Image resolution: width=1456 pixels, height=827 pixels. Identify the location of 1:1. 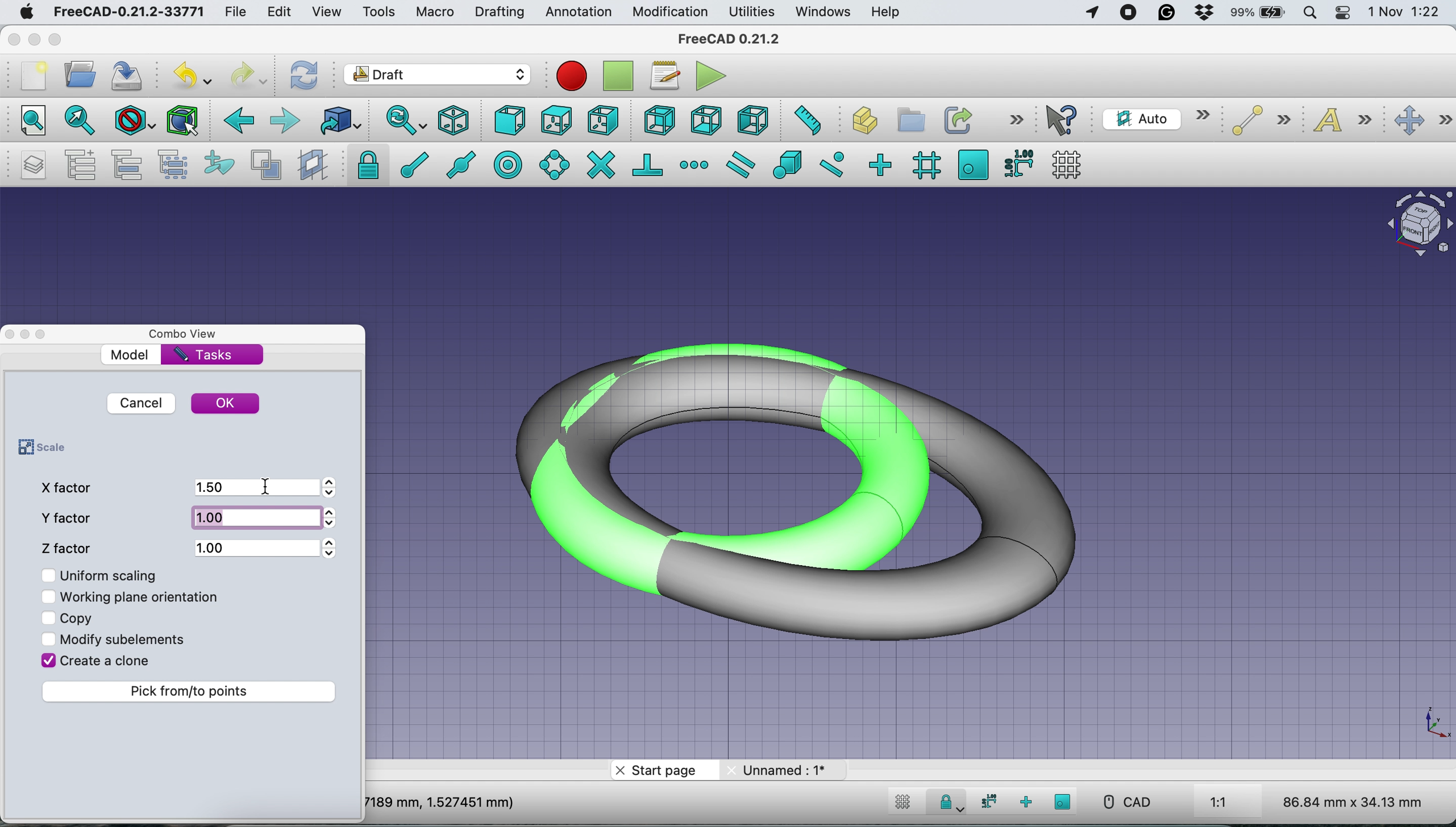
(1232, 803).